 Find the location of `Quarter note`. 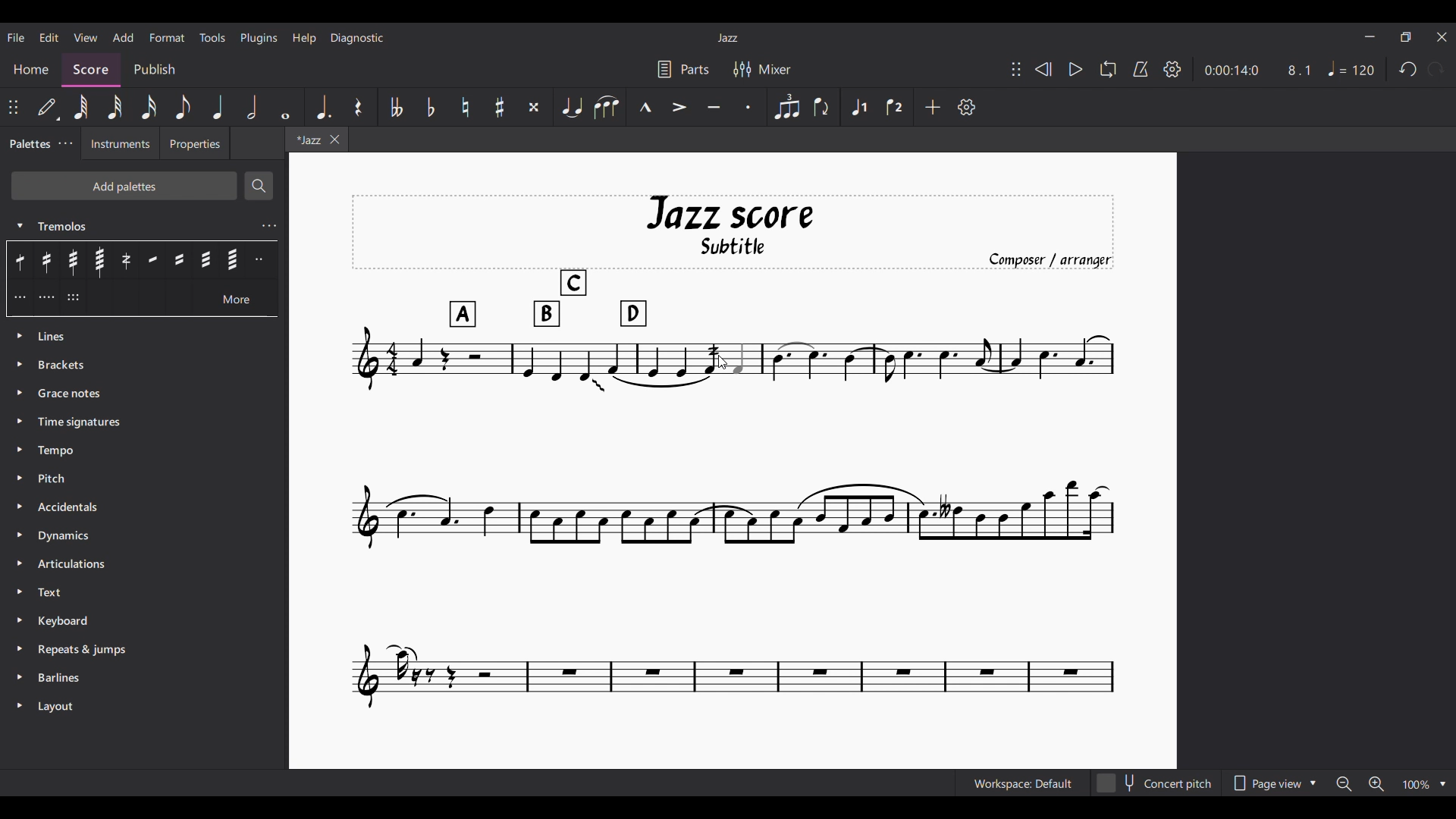

Quarter note is located at coordinates (218, 106).